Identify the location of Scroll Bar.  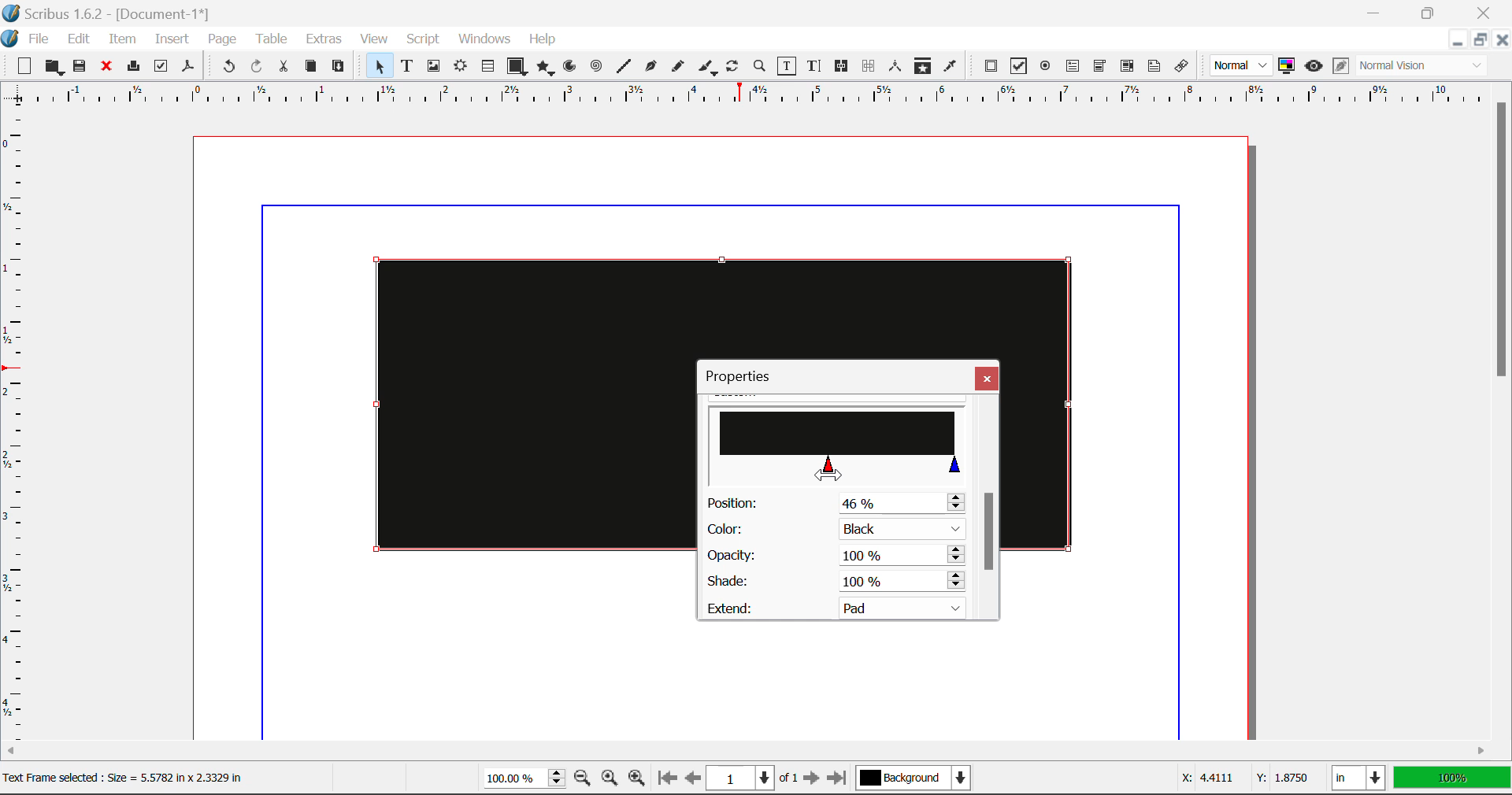
(1503, 411).